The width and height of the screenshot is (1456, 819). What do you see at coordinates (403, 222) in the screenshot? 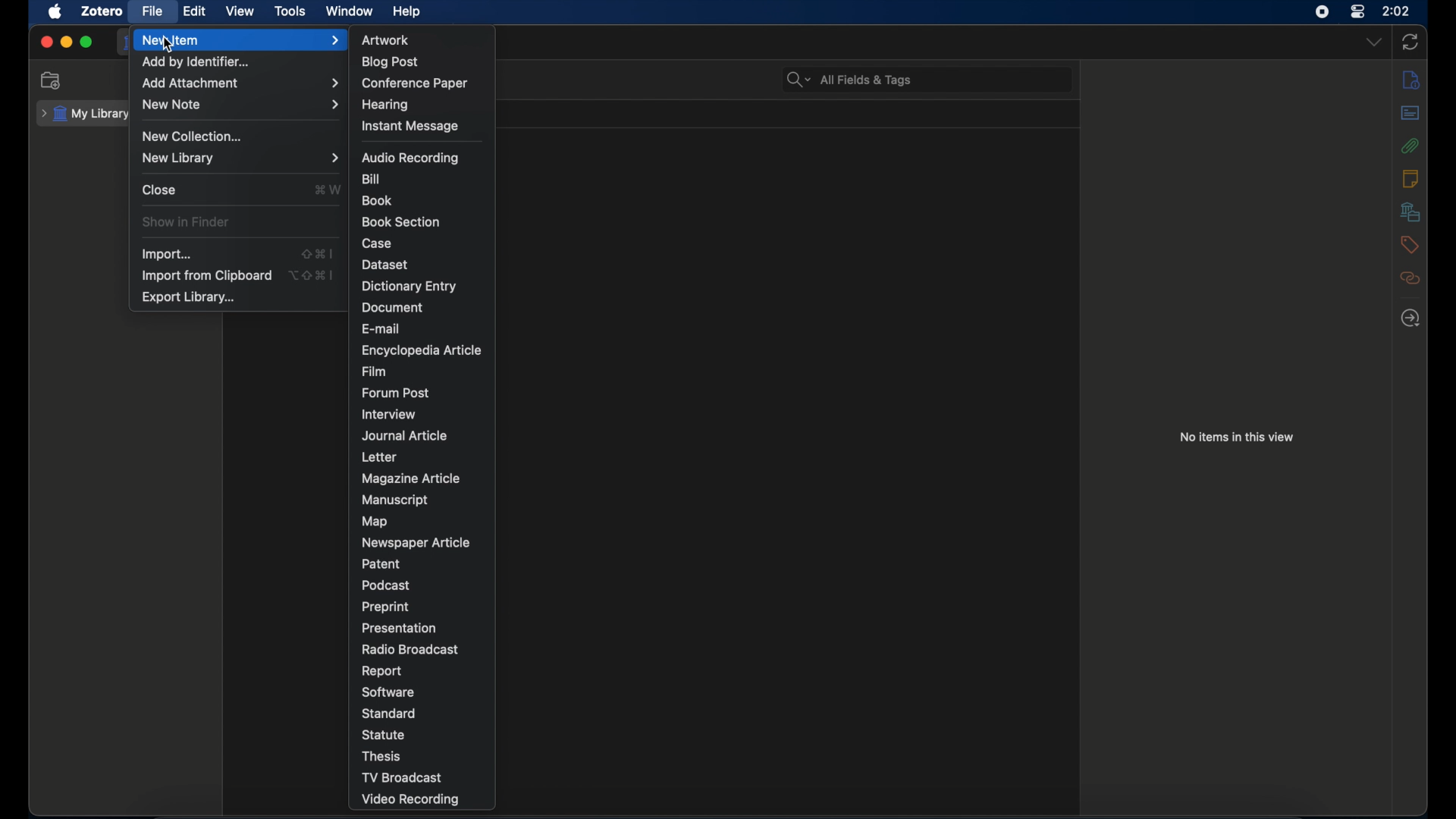
I see `book section` at bounding box center [403, 222].